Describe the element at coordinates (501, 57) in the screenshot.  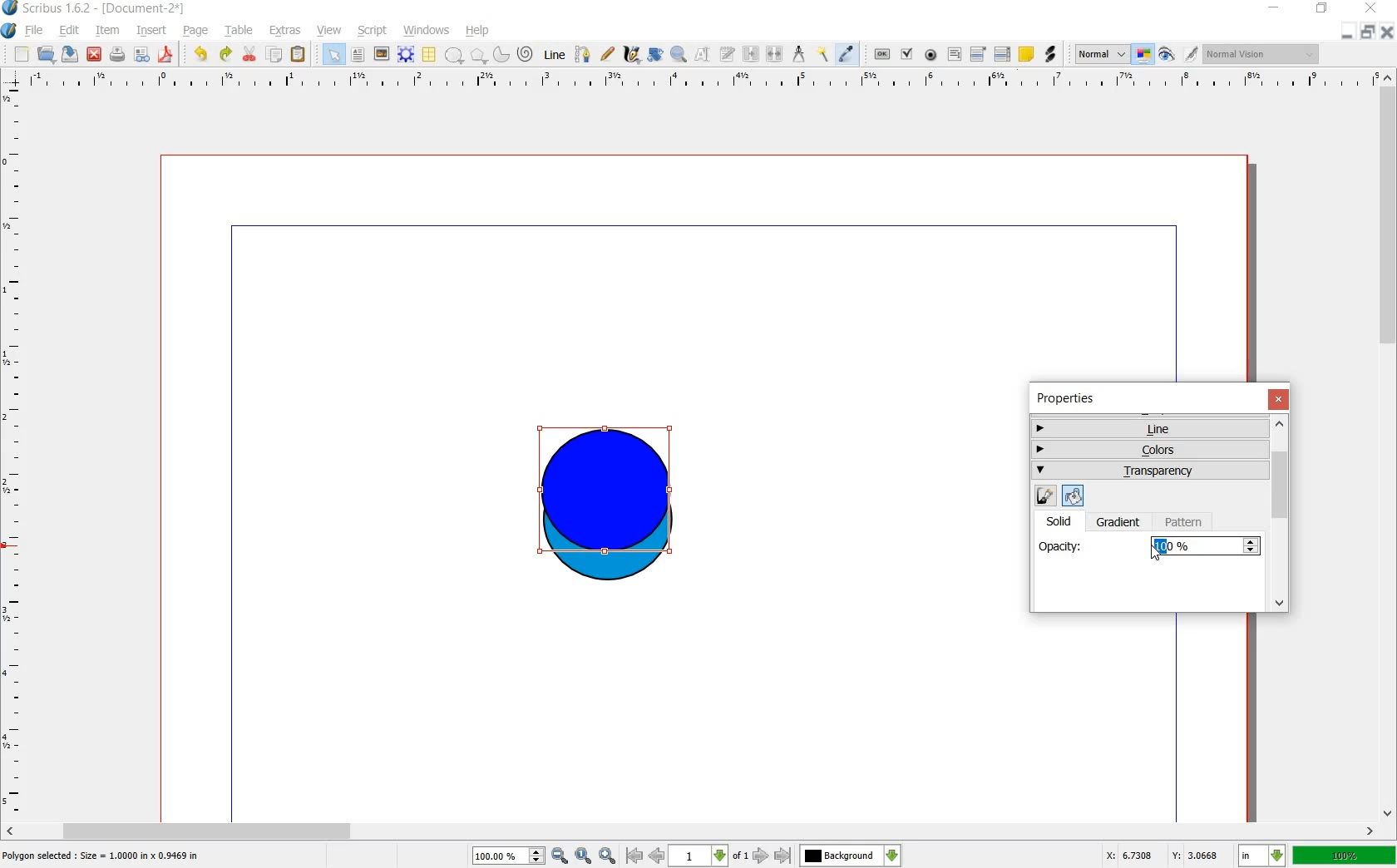
I see `arc` at that location.